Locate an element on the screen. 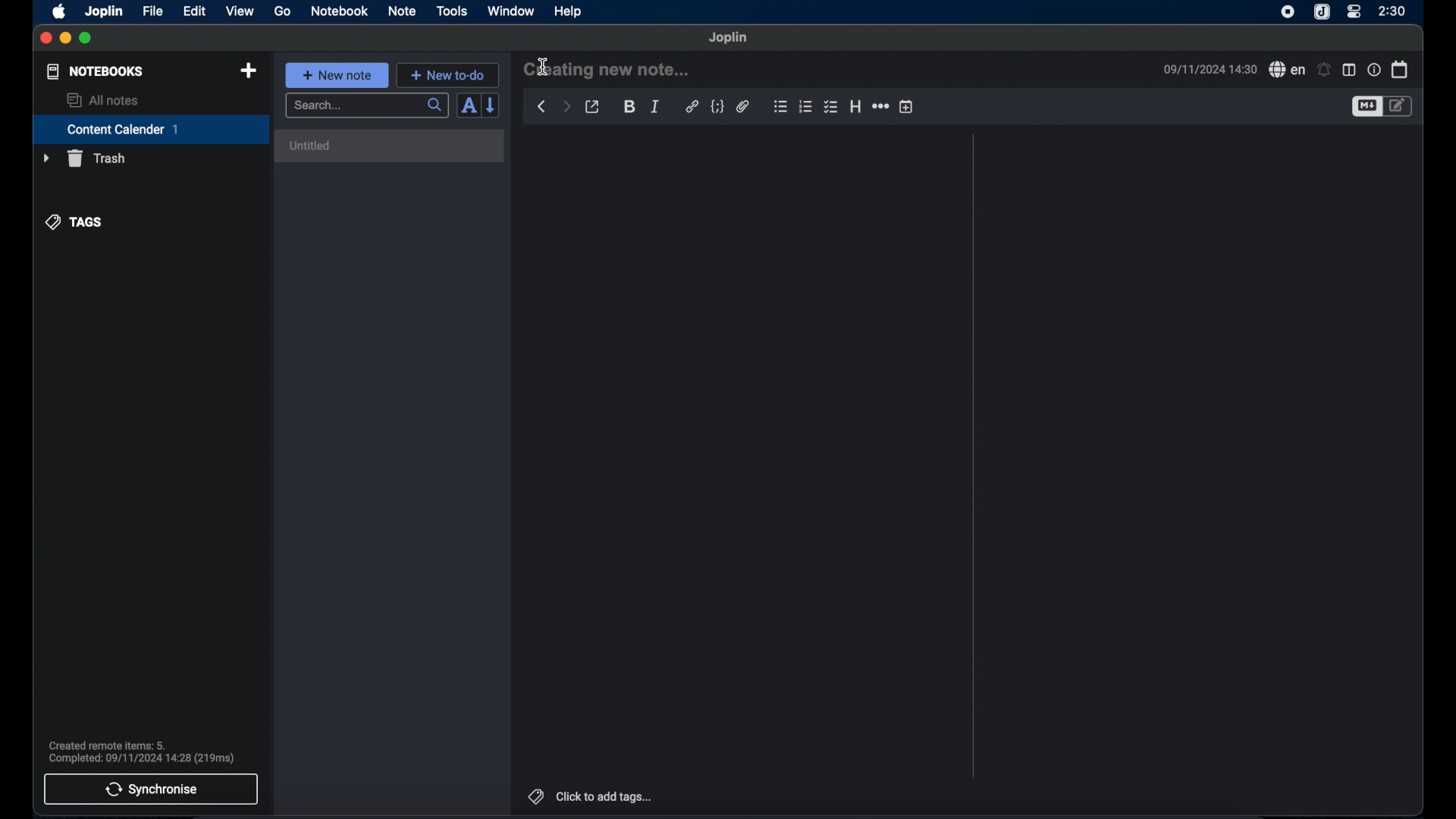  toggle editor layout is located at coordinates (1349, 71).